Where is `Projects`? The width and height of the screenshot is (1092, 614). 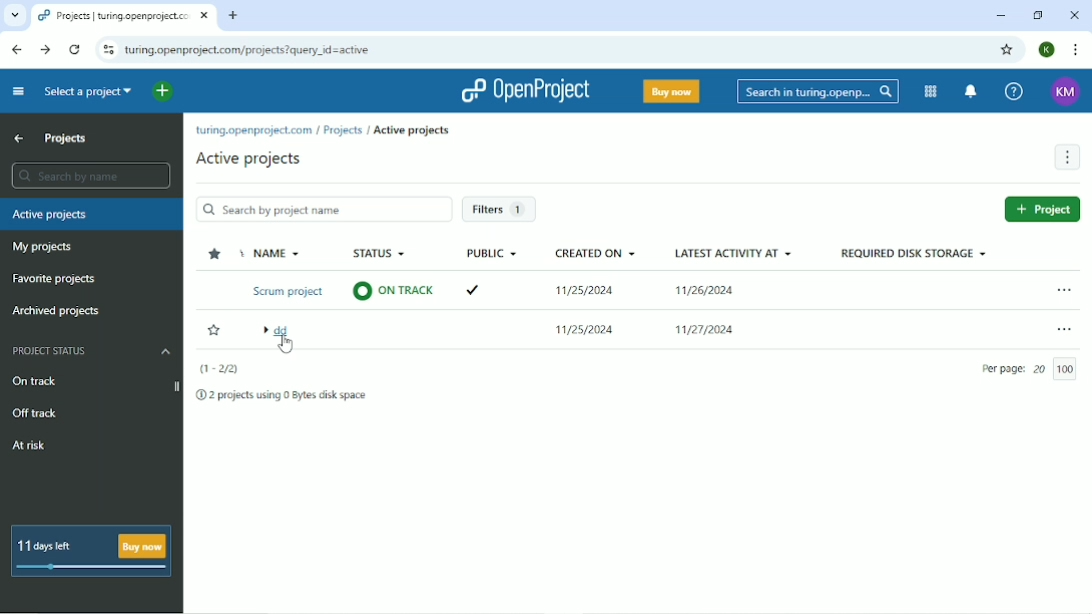
Projects is located at coordinates (66, 139).